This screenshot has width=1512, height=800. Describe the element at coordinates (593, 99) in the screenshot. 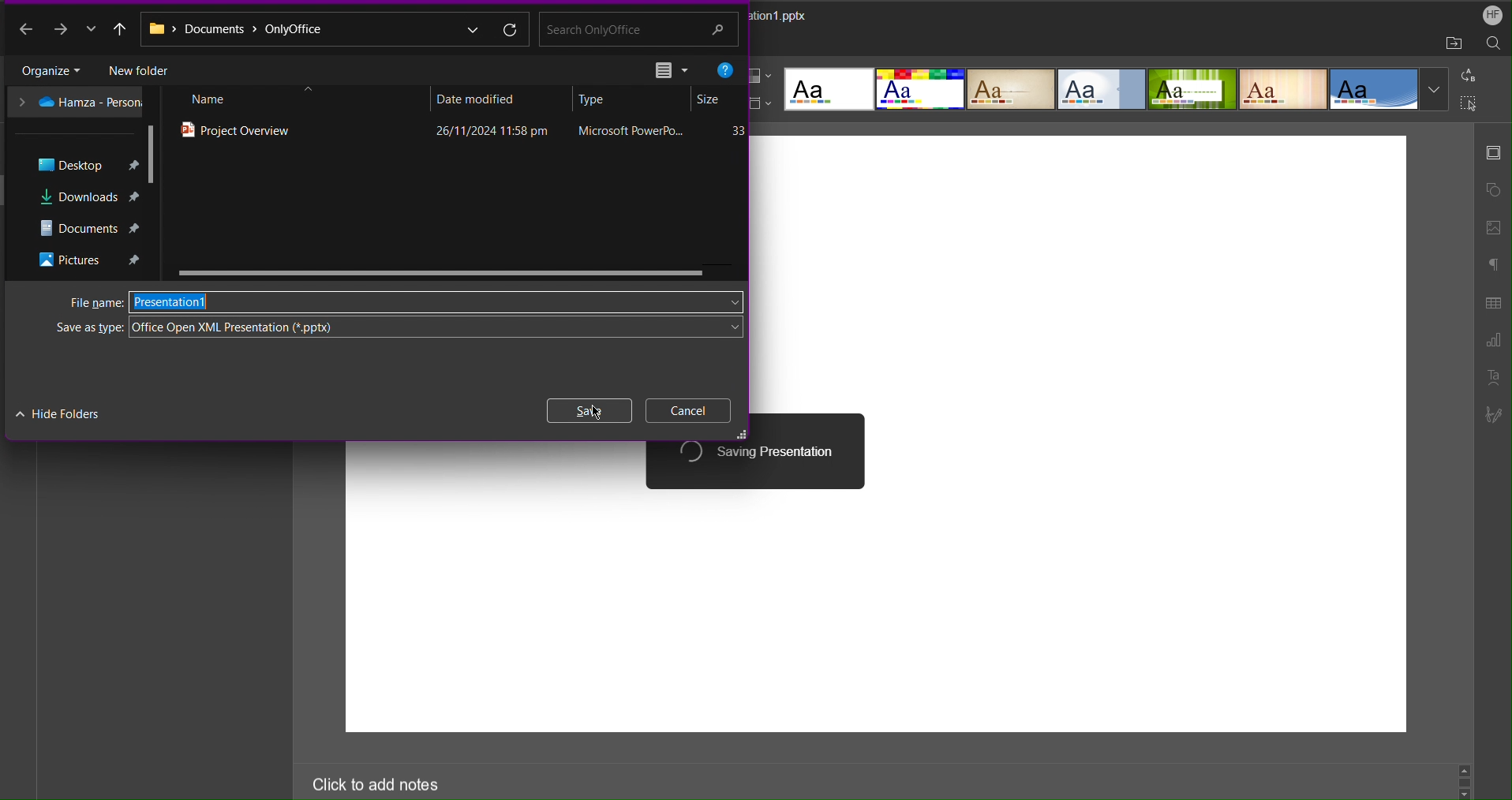

I see `Type` at that location.